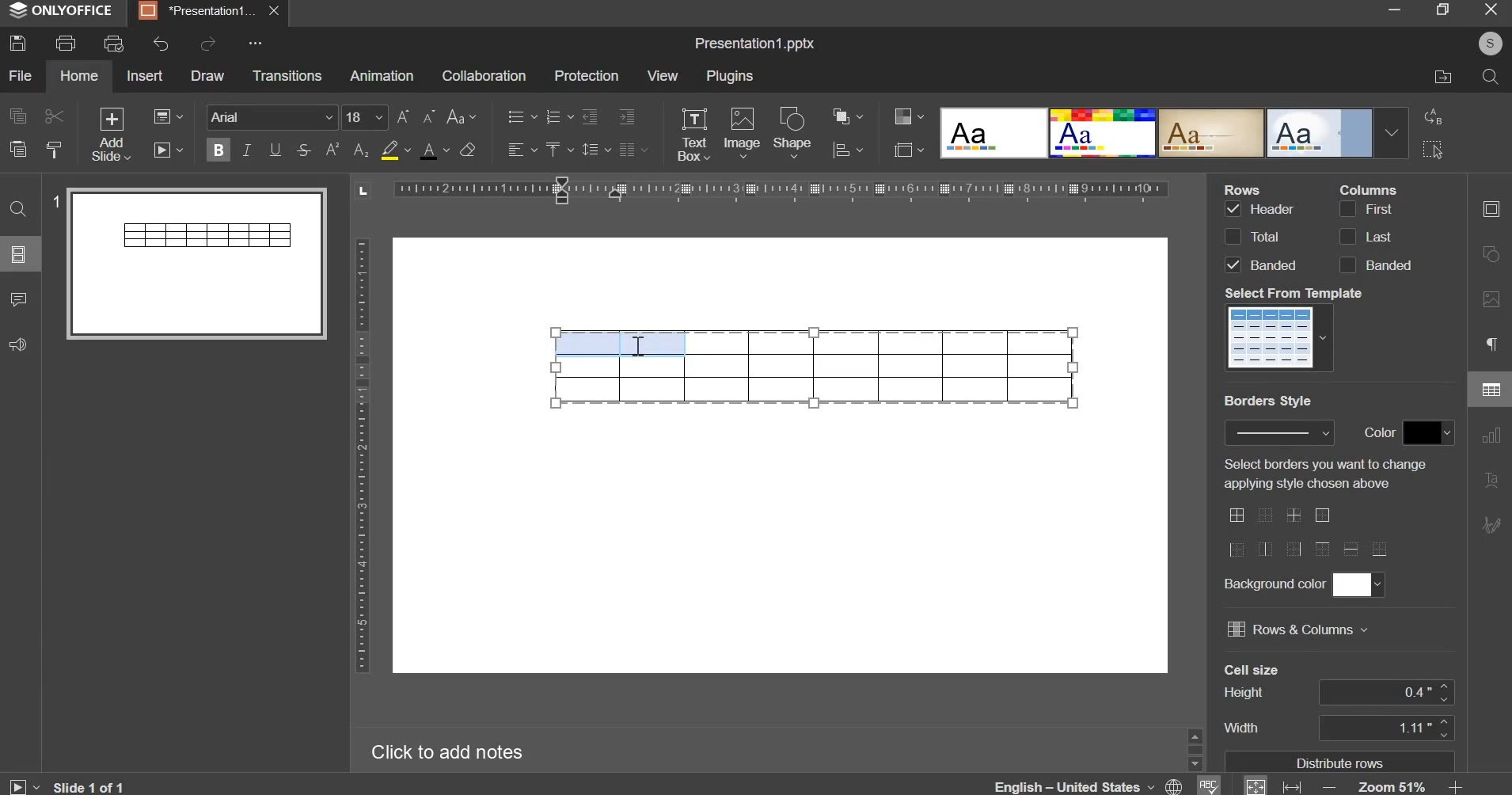 This screenshot has height=795, width=1512. Describe the element at coordinates (361, 455) in the screenshot. I see `vertical scale` at that location.